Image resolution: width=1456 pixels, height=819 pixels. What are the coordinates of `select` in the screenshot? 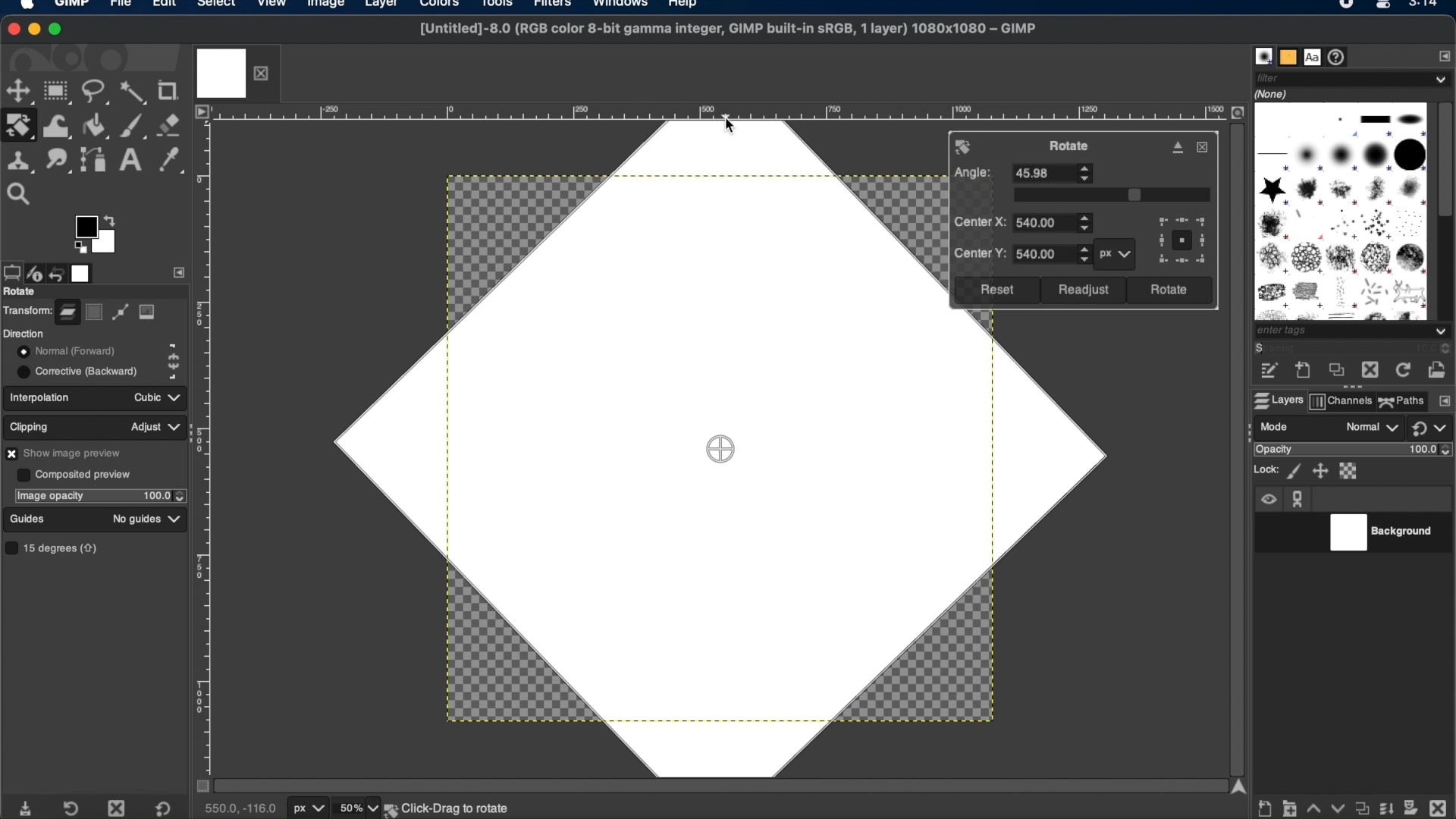 It's located at (216, 6).